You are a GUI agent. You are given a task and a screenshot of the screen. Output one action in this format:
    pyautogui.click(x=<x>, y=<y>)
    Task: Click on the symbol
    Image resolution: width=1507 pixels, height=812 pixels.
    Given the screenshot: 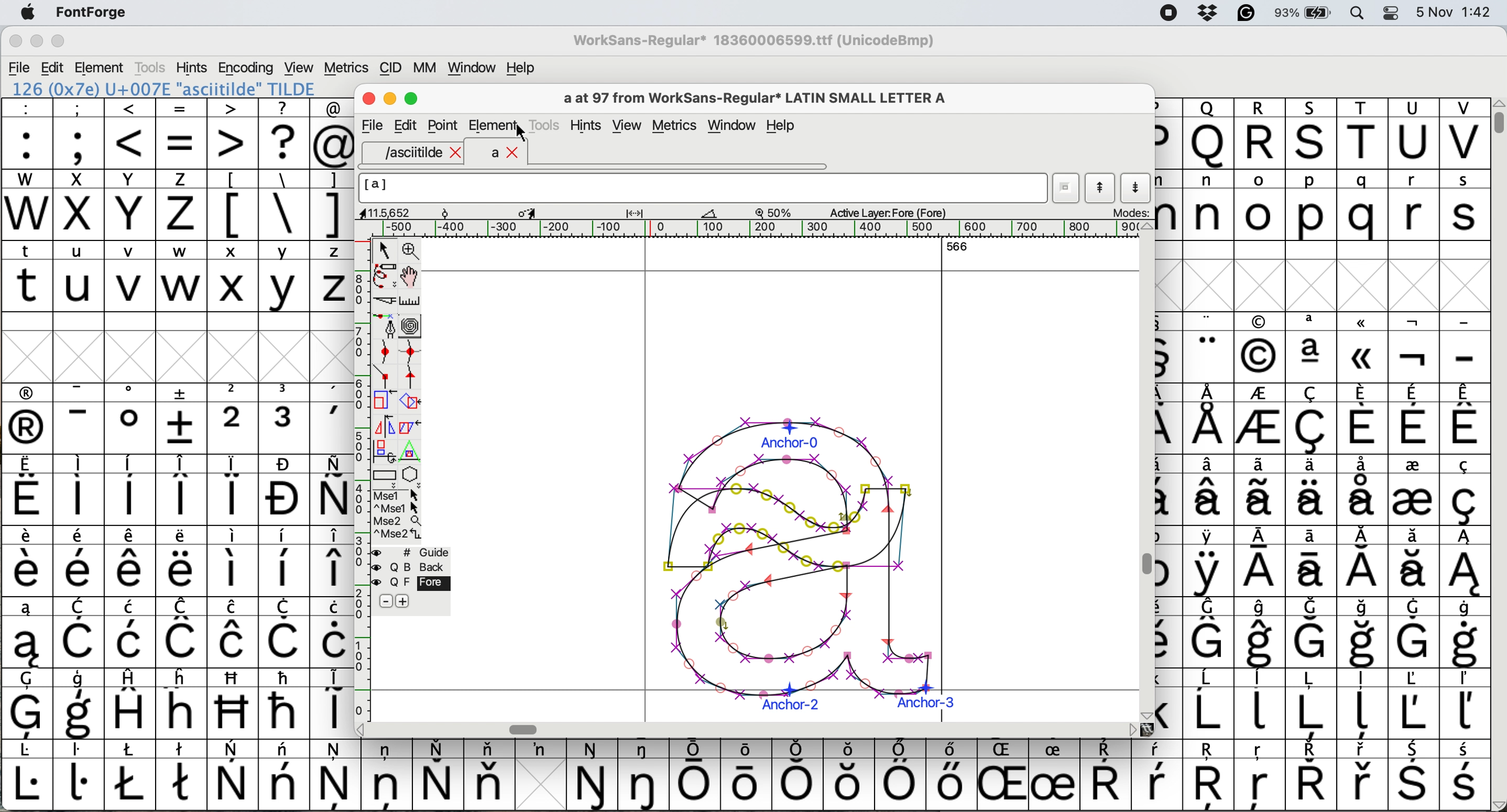 What is the action you would take?
    pyautogui.click(x=332, y=701)
    